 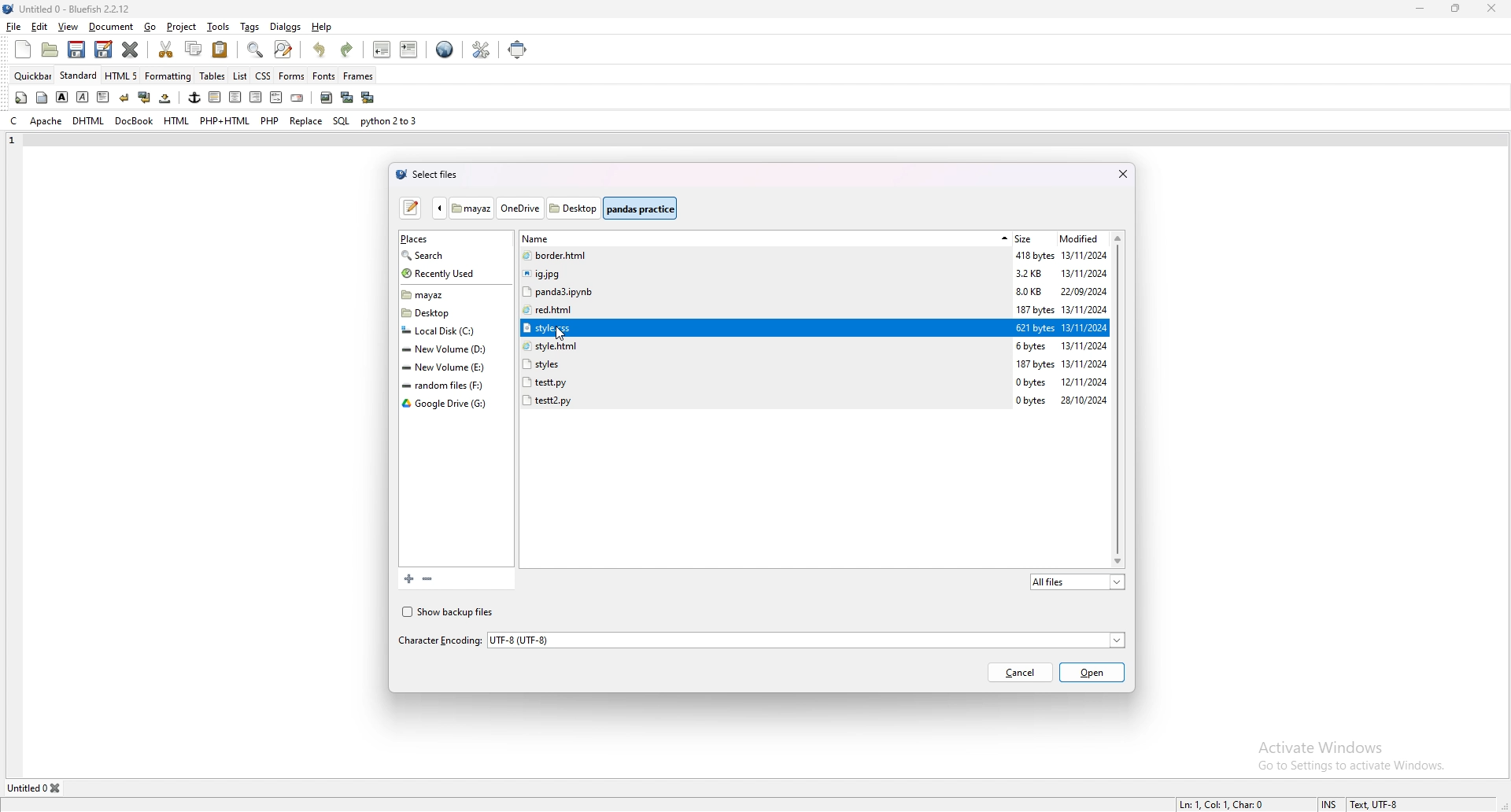 What do you see at coordinates (257, 98) in the screenshot?
I see `right justify` at bounding box center [257, 98].